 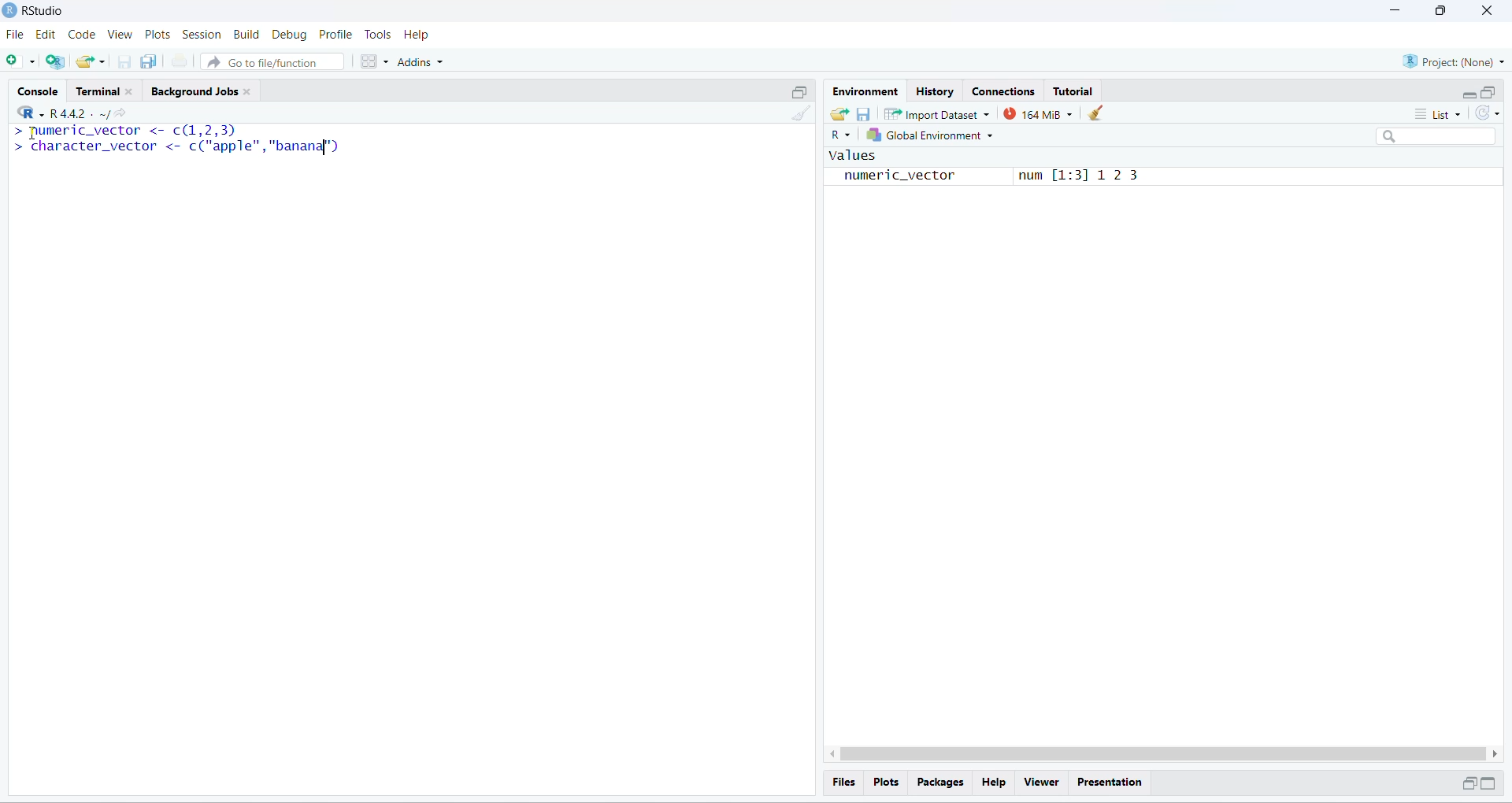 What do you see at coordinates (80, 35) in the screenshot?
I see `Code` at bounding box center [80, 35].